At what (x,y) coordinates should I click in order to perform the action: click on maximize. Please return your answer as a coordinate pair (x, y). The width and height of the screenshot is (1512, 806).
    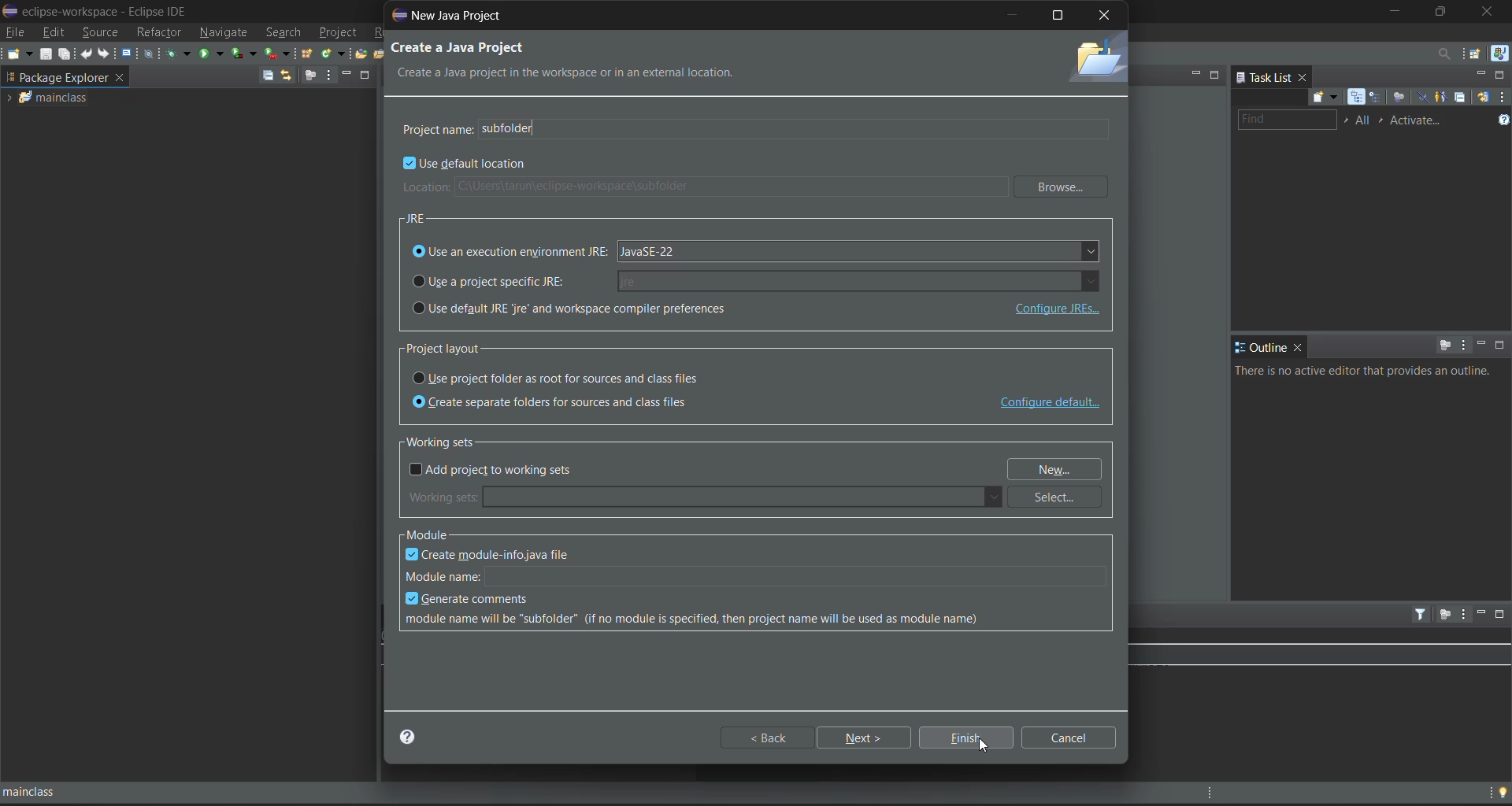
    Looking at the image, I should click on (366, 76).